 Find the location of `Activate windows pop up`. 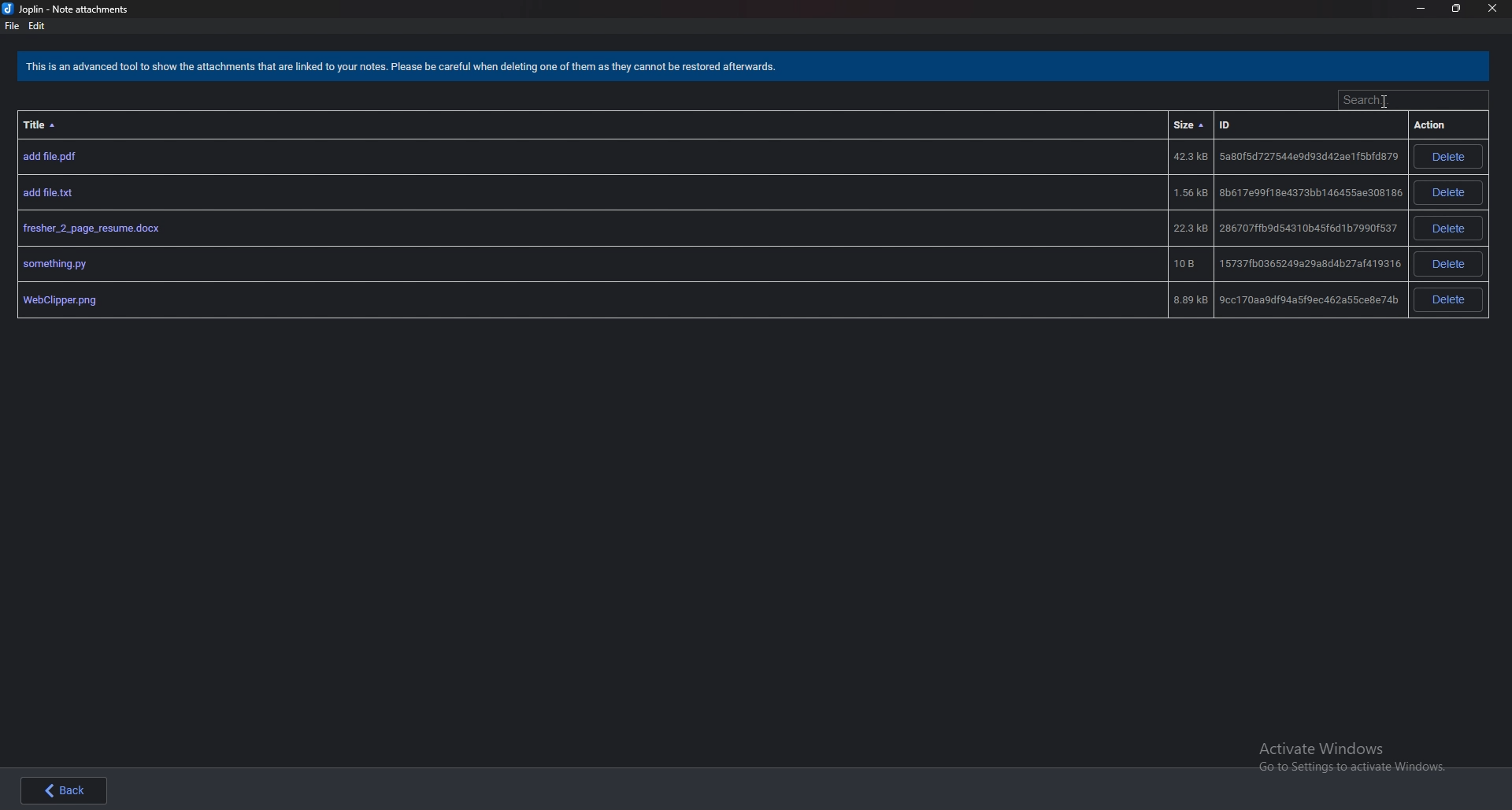

Activate windows pop up is located at coordinates (1358, 759).